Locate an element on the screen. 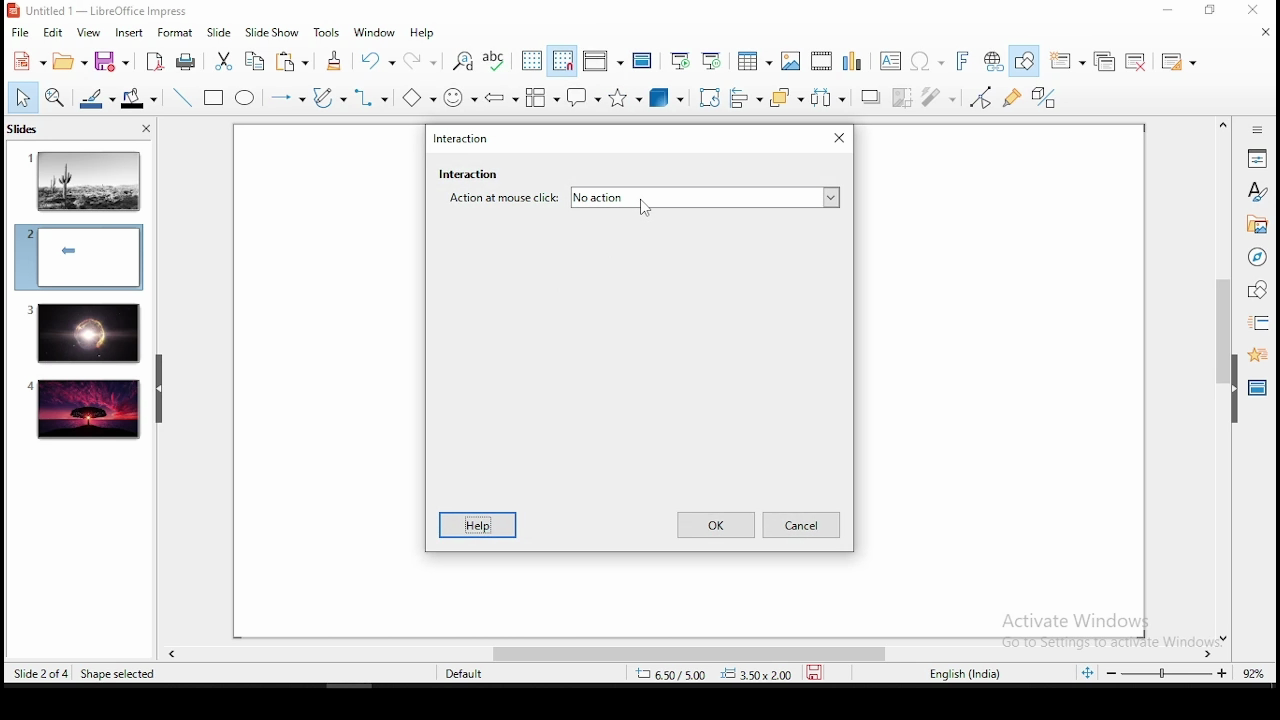 The image size is (1280, 720). show gluepoint functions is located at coordinates (1017, 97).